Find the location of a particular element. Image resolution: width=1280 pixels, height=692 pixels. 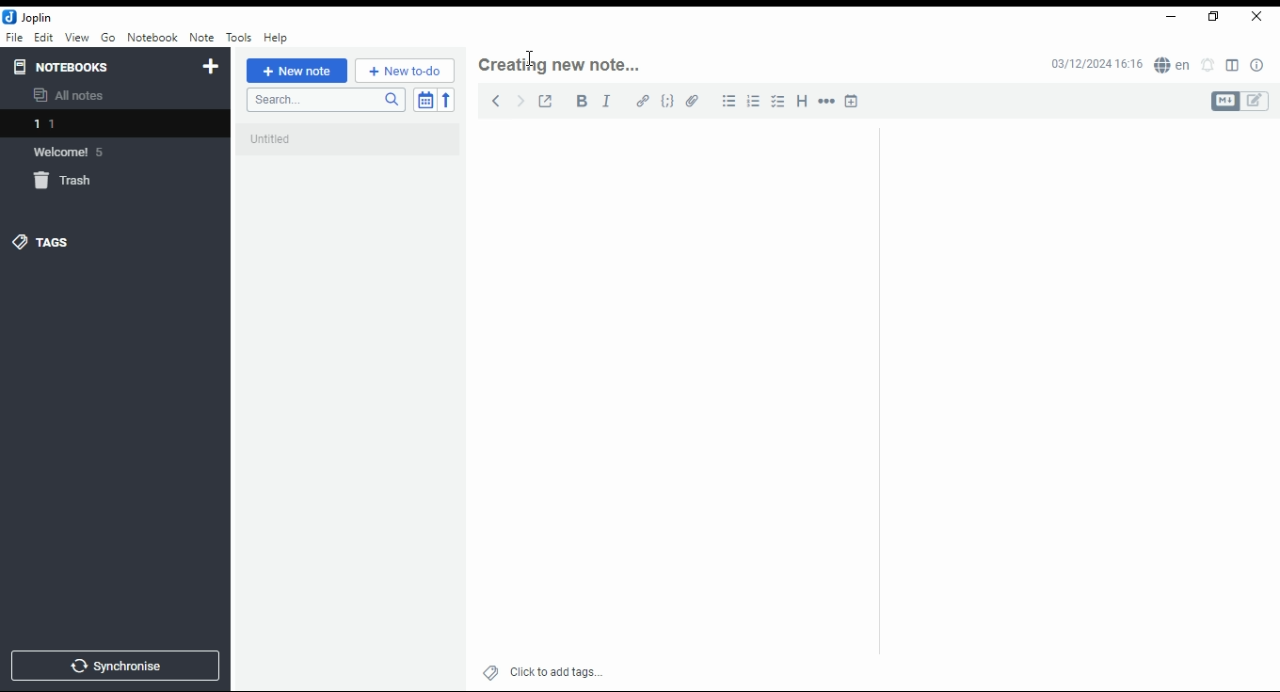

notebook is located at coordinates (152, 37).